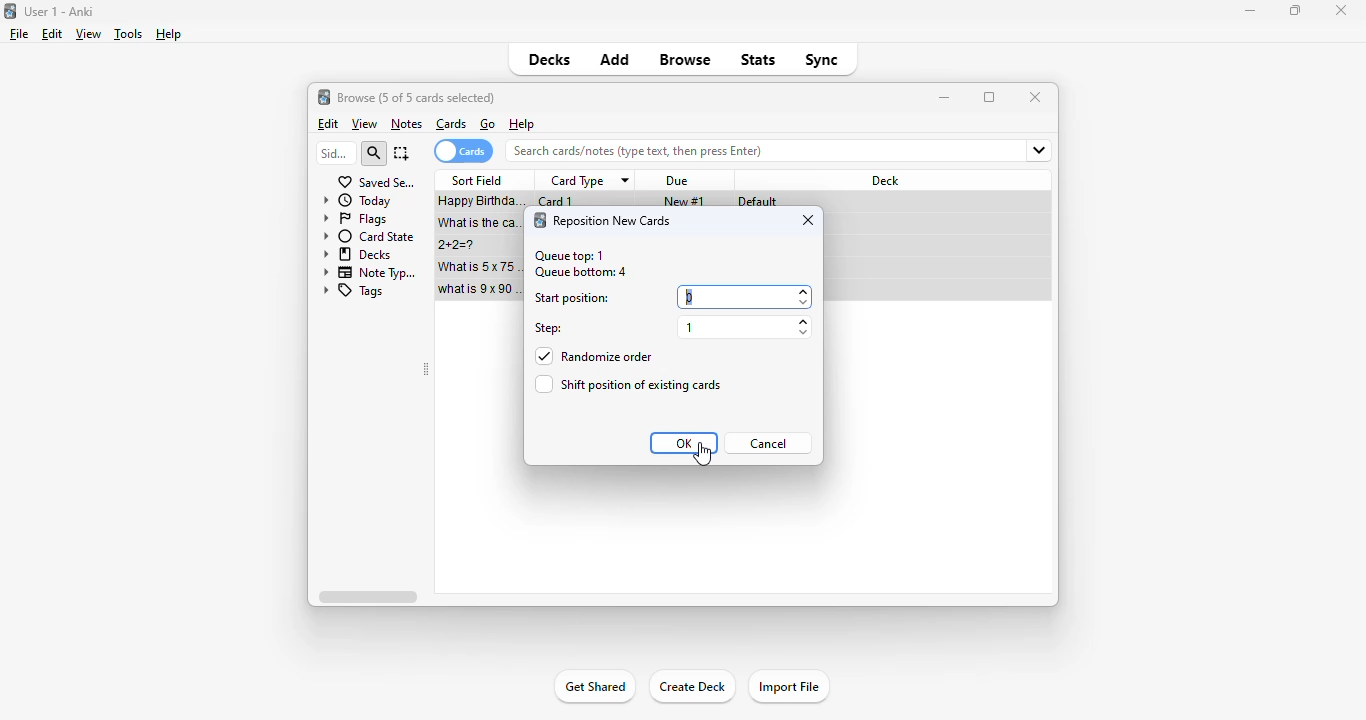 The width and height of the screenshot is (1366, 720). I want to click on what is 9x90=?, so click(482, 289).